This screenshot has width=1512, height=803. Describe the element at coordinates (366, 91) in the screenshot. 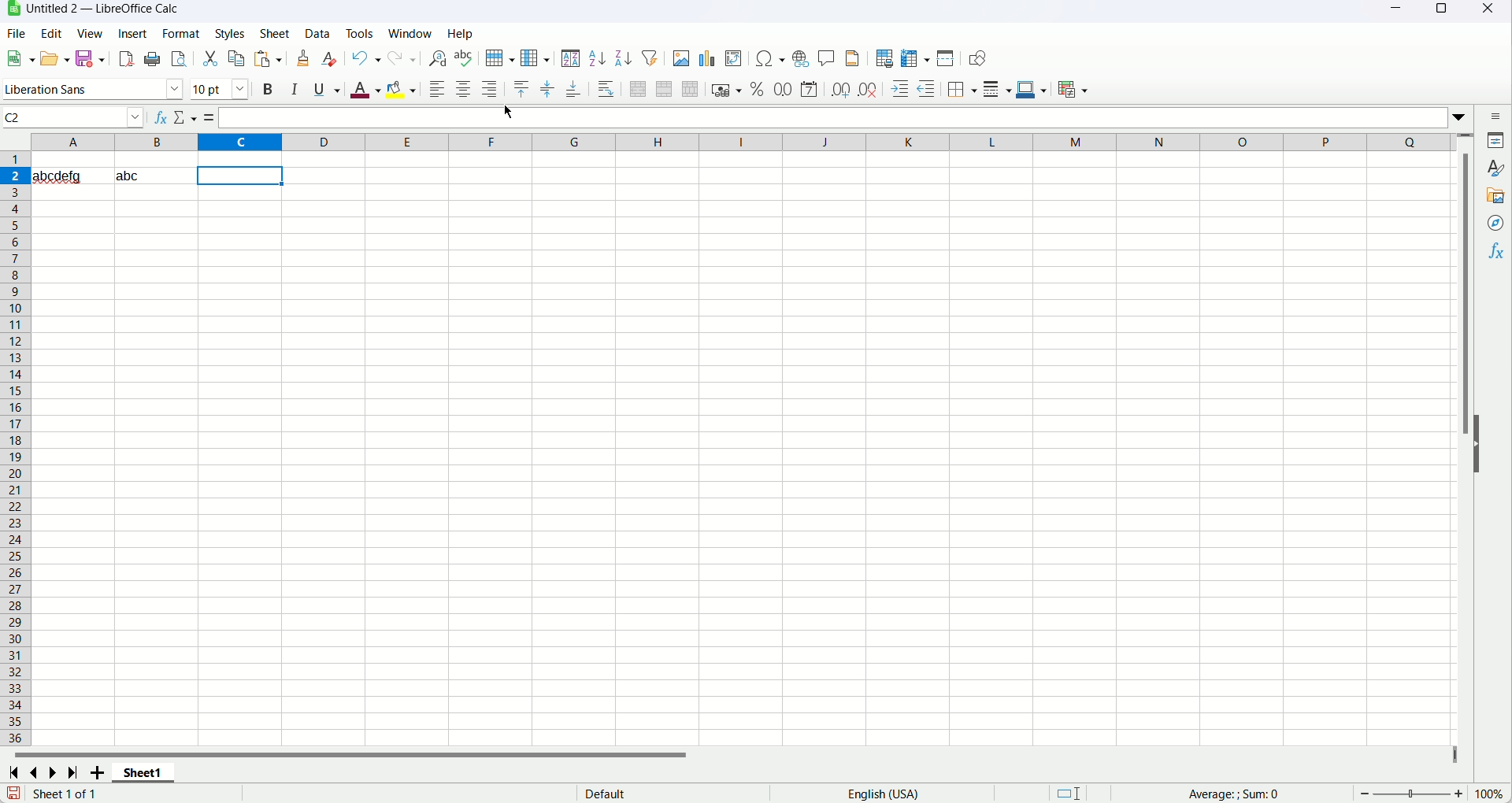

I see `font color` at that location.